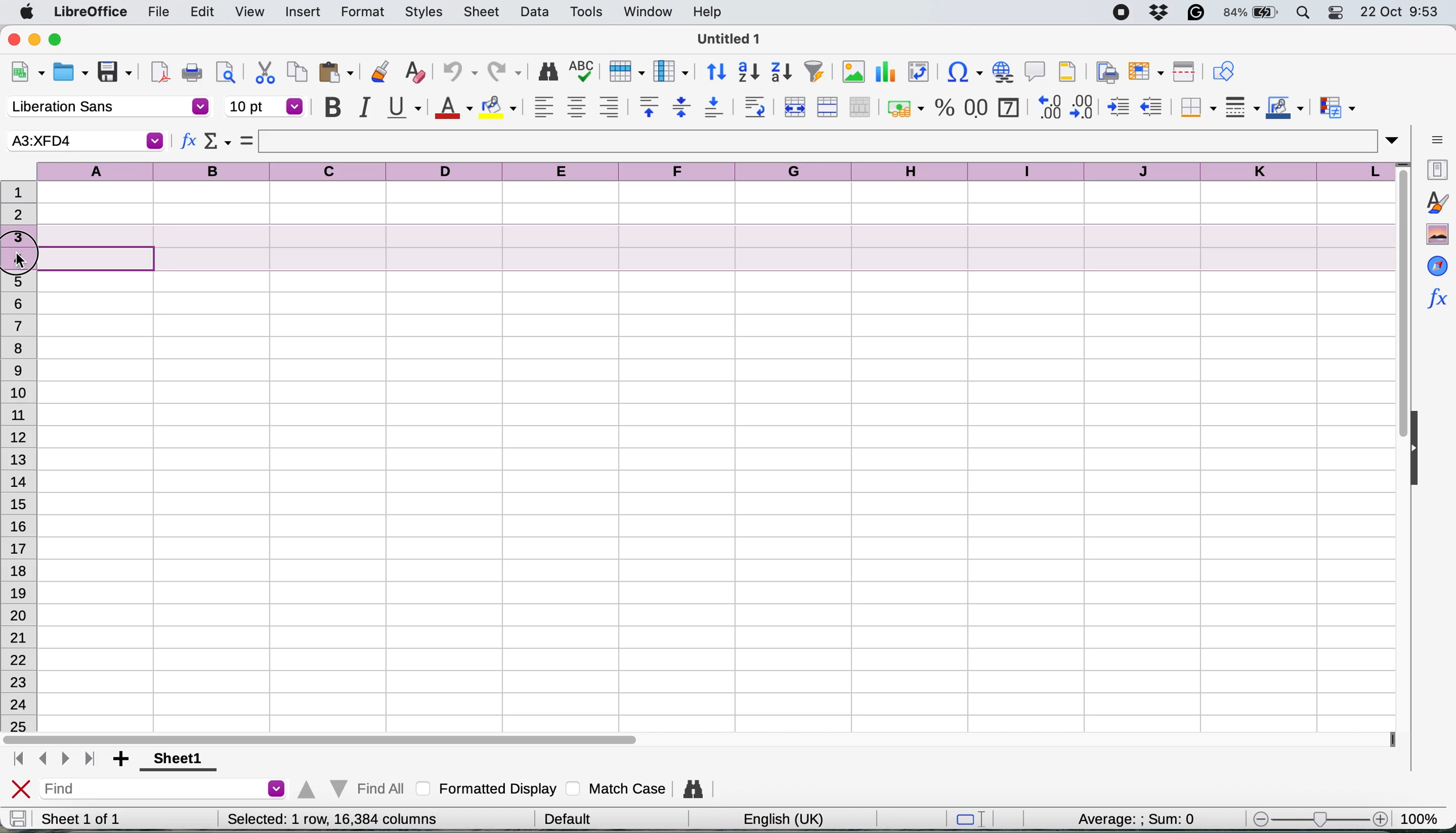 The width and height of the screenshot is (1456, 833). What do you see at coordinates (853, 72) in the screenshot?
I see `insert image` at bounding box center [853, 72].